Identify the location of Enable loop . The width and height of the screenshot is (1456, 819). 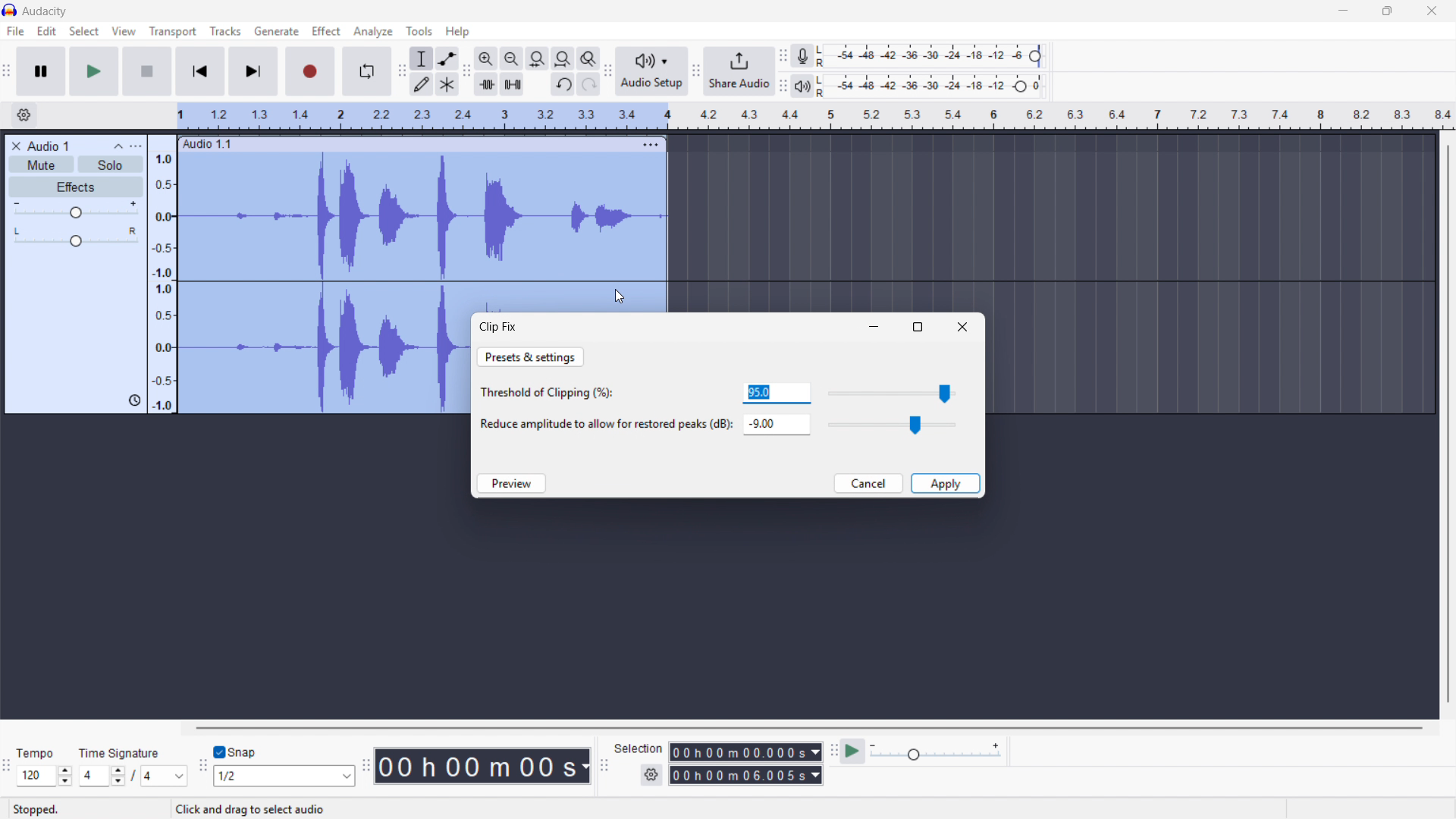
(367, 71).